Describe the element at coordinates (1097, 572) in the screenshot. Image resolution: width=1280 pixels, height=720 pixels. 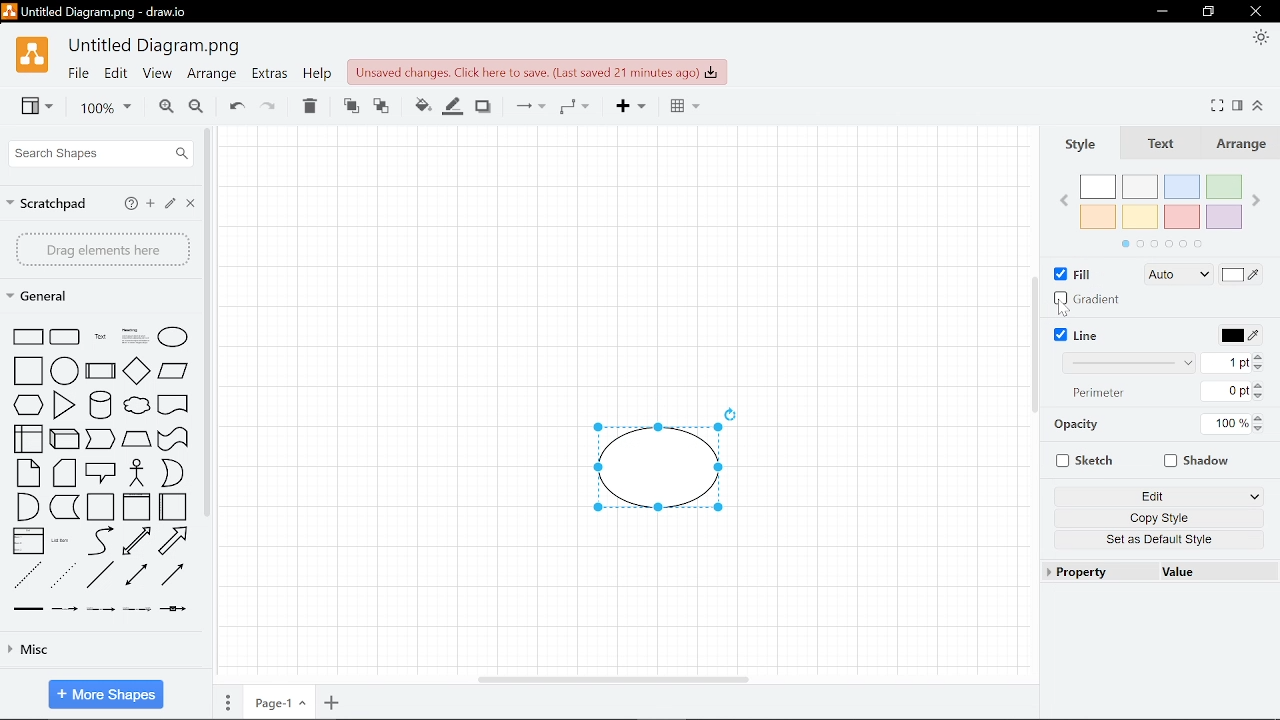
I see `Property` at that location.